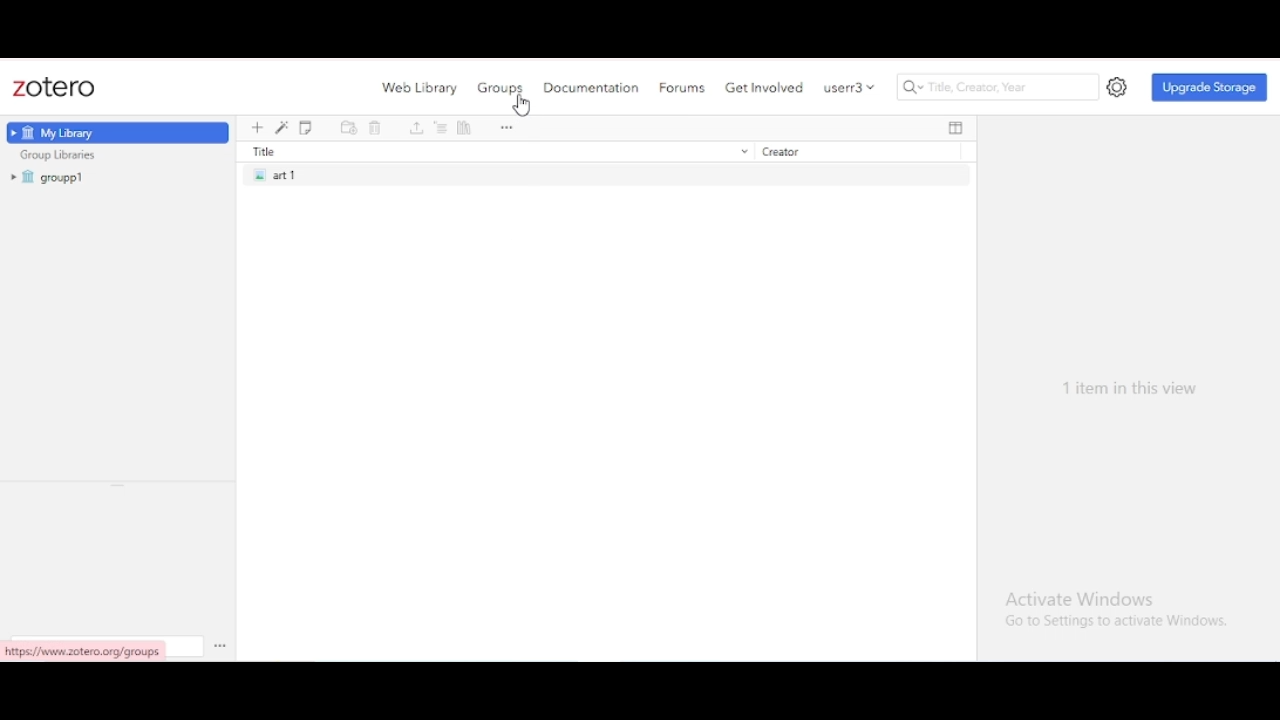 The width and height of the screenshot is (1280, 720). What do you see at coordinates (59, 155) in the screenshot?
I see `group libraries` at bounding box center [59, 155].